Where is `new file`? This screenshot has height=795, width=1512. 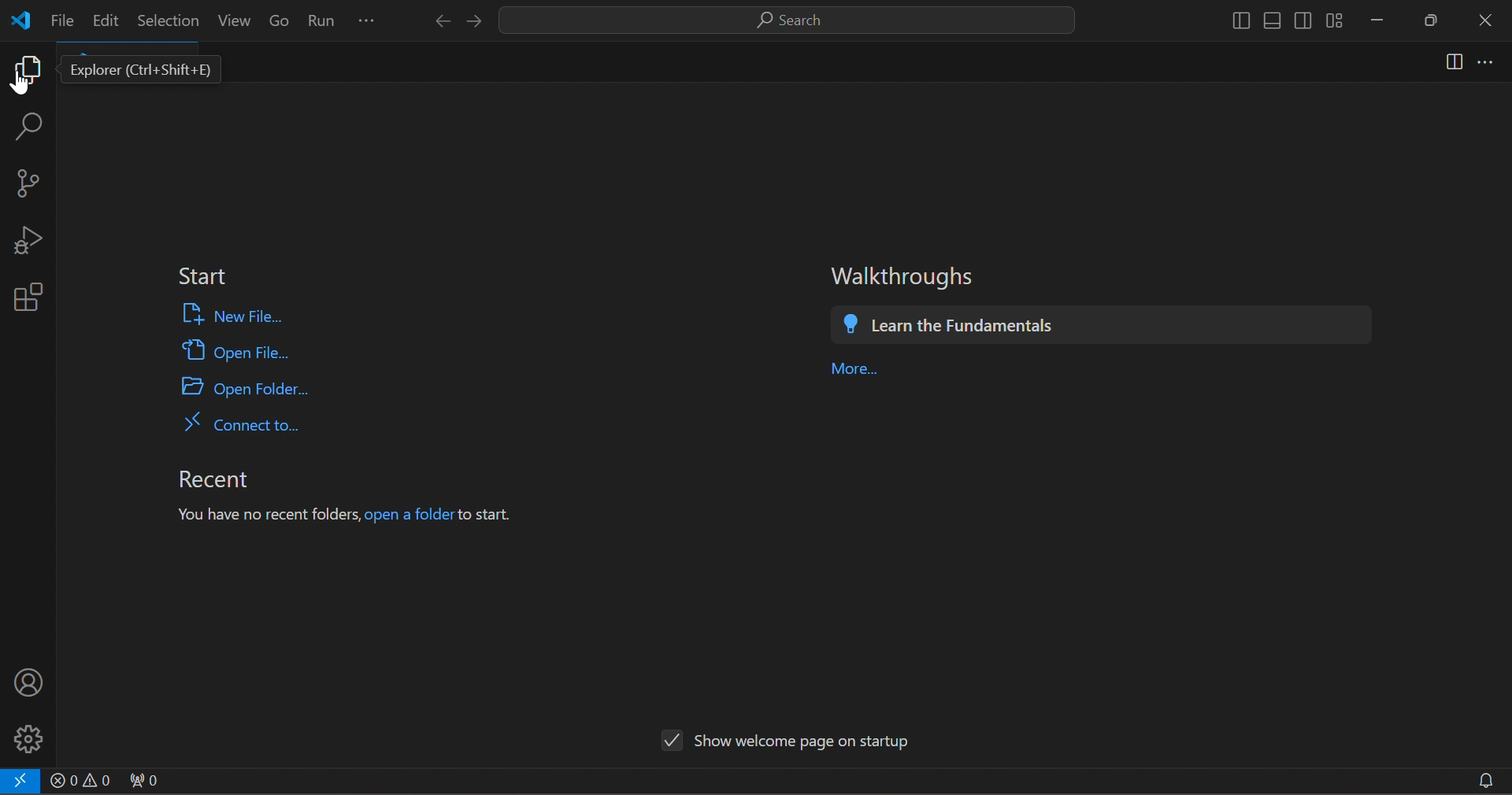
new file is located at coordinates (249, 316).